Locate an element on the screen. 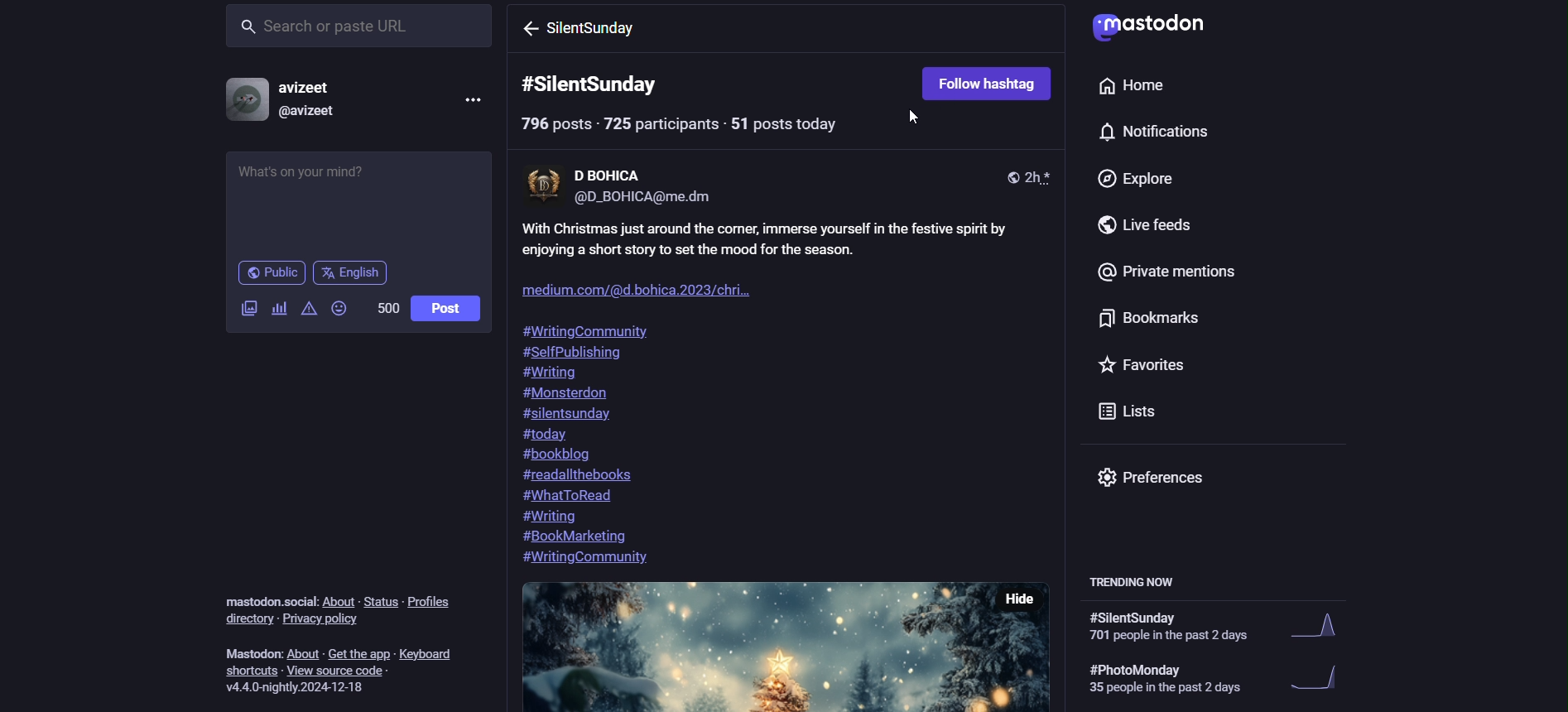 This screenshot has height=712, width=1568. about is located at coordinates (303, 654).